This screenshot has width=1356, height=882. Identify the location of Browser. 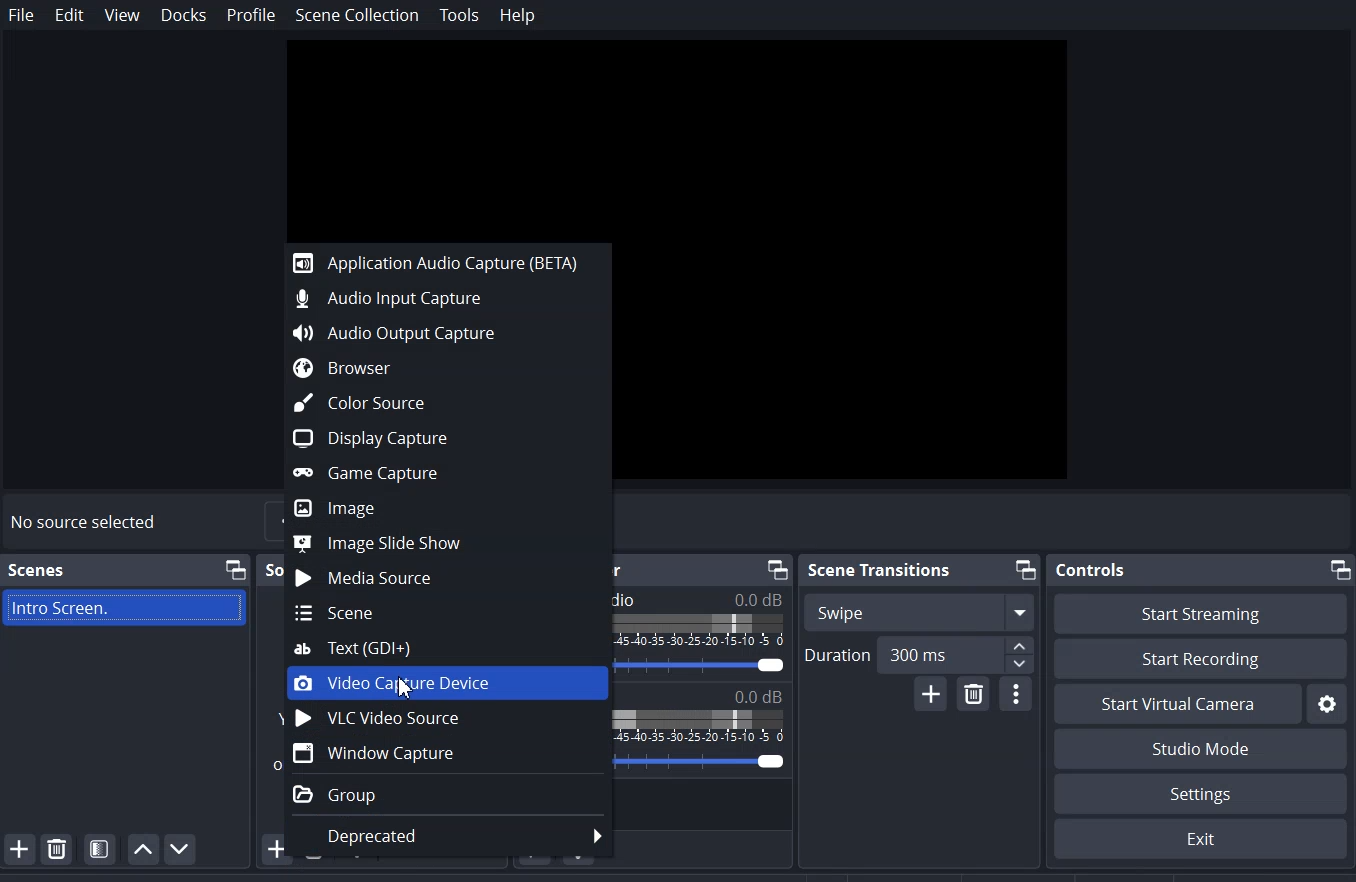
(438, 366).